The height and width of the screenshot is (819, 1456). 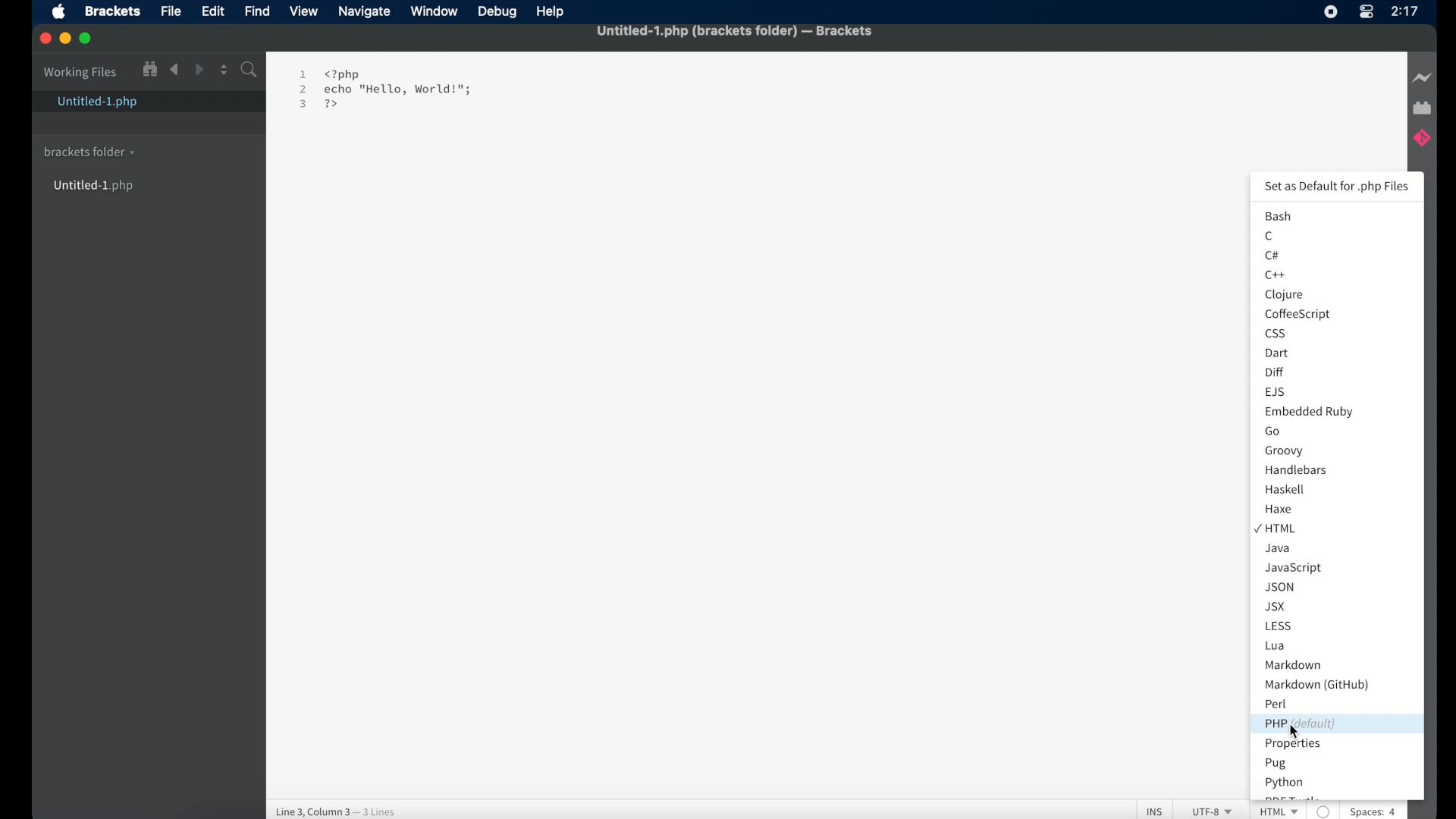 I want to click on 1 <?php
2 echo "Hello, World!";
3 [4d, so click(x=387, y=88).